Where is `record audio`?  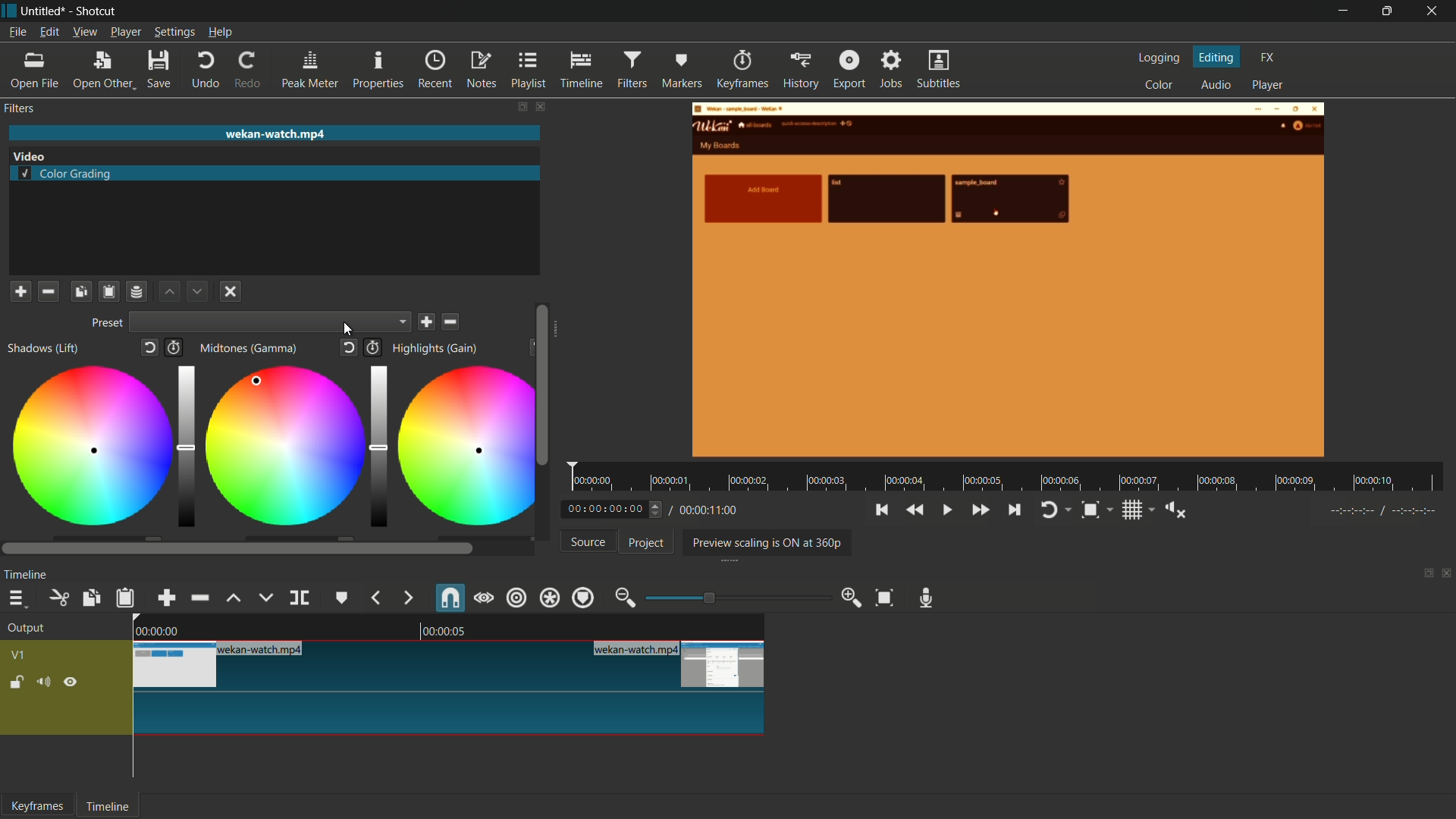
record audio is located at coordinates (927, 598).